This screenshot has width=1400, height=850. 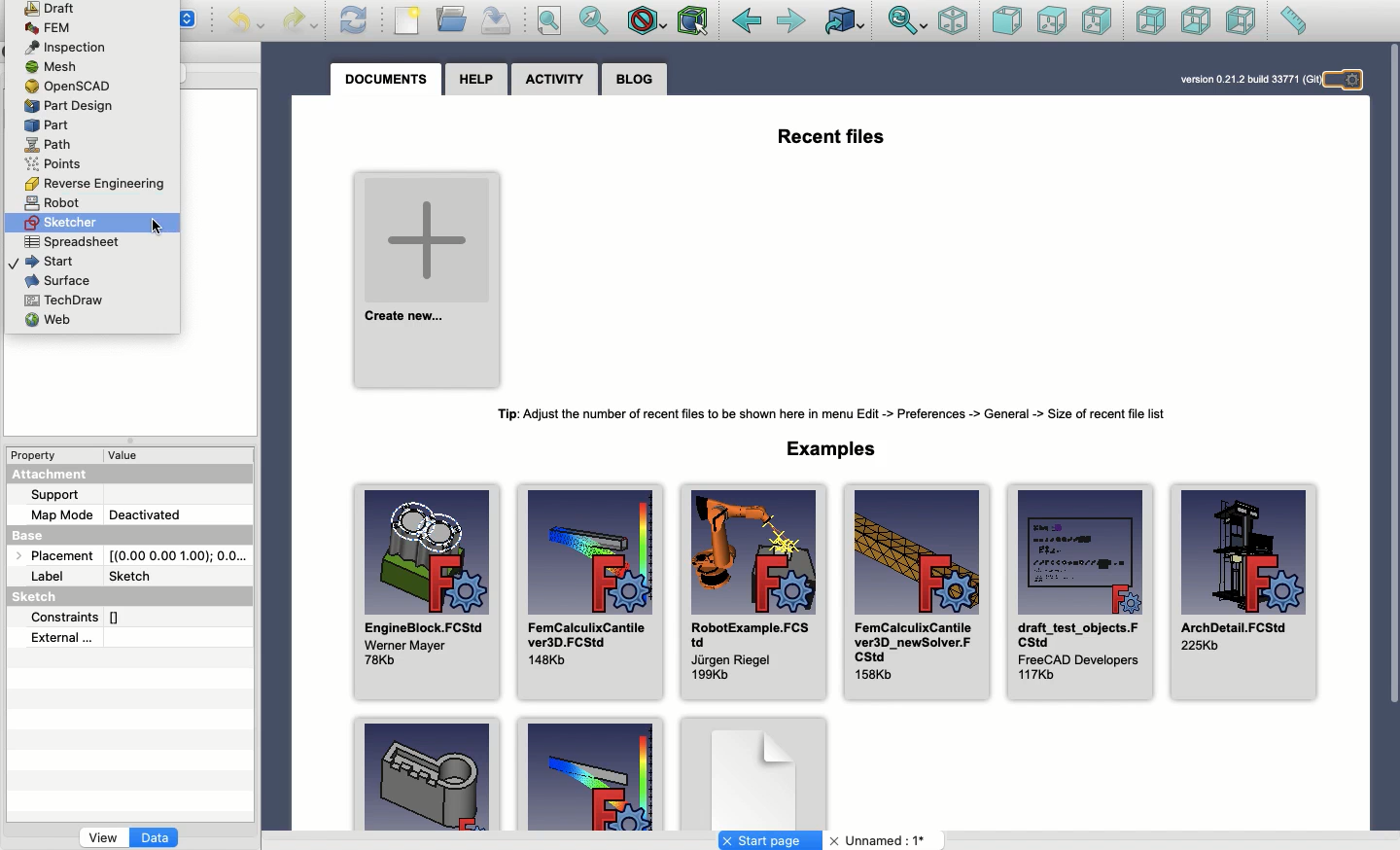 What do you see at coordinates (54, 495) in the screenshot?
I see `Support` at bounding box center [54, 495].